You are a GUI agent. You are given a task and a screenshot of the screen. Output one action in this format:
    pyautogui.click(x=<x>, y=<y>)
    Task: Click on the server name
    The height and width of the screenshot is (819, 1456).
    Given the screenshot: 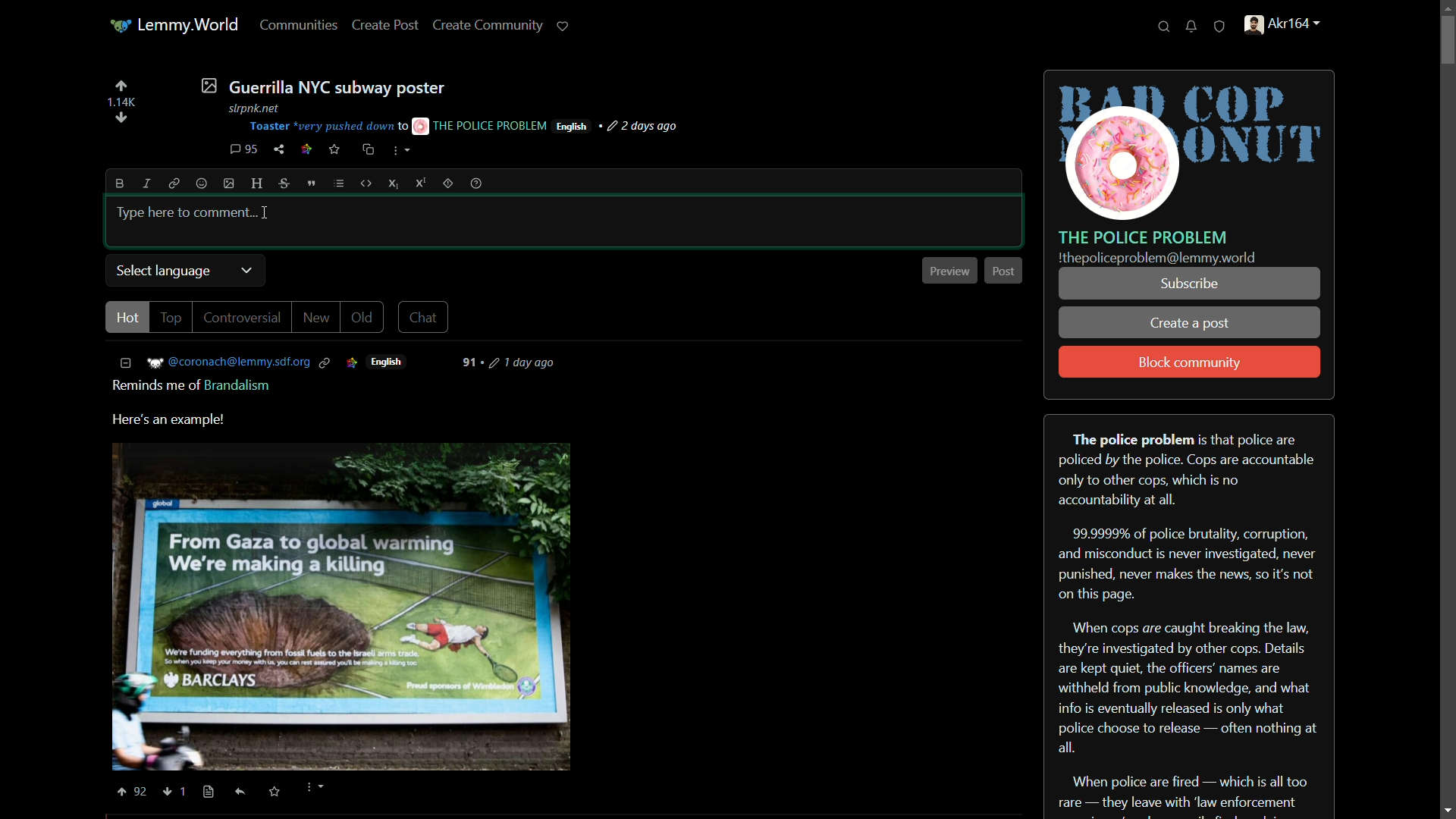 What is the action you would take?
    pyautogui.click(x=1144, y=237)
    